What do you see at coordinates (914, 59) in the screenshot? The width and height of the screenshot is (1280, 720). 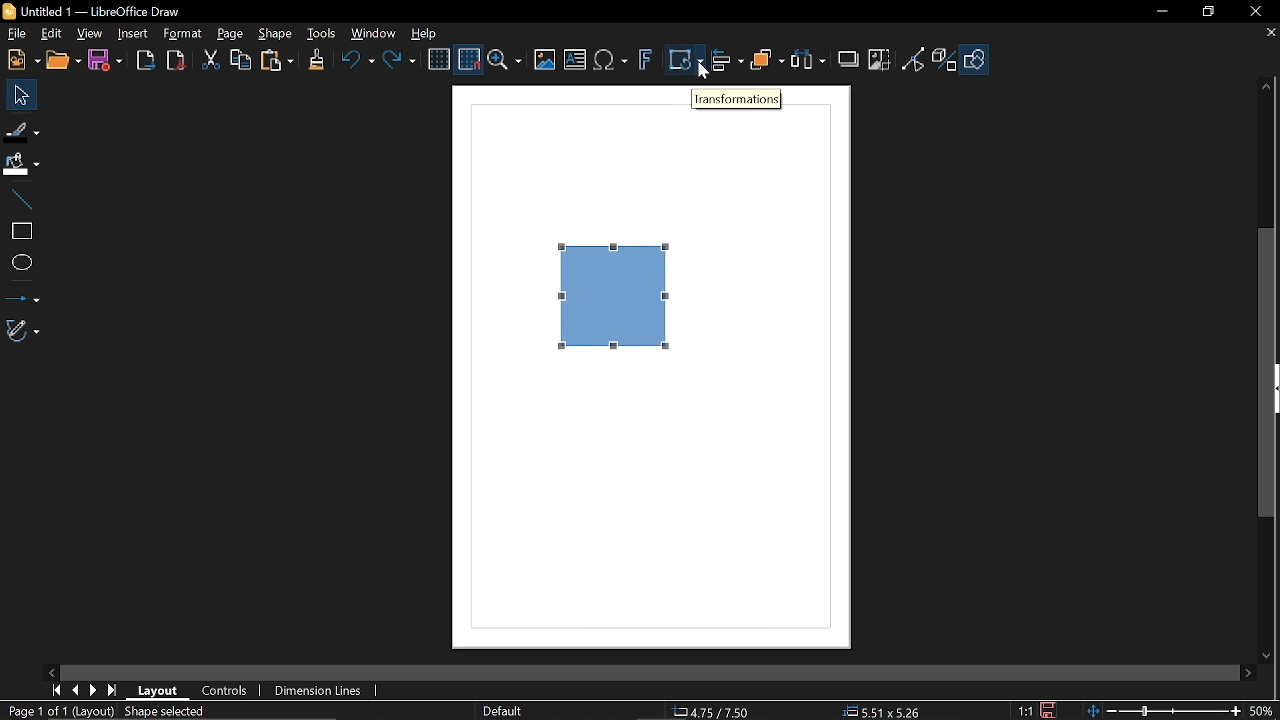 I see `Toggle ` at bounding box center [914, 59].